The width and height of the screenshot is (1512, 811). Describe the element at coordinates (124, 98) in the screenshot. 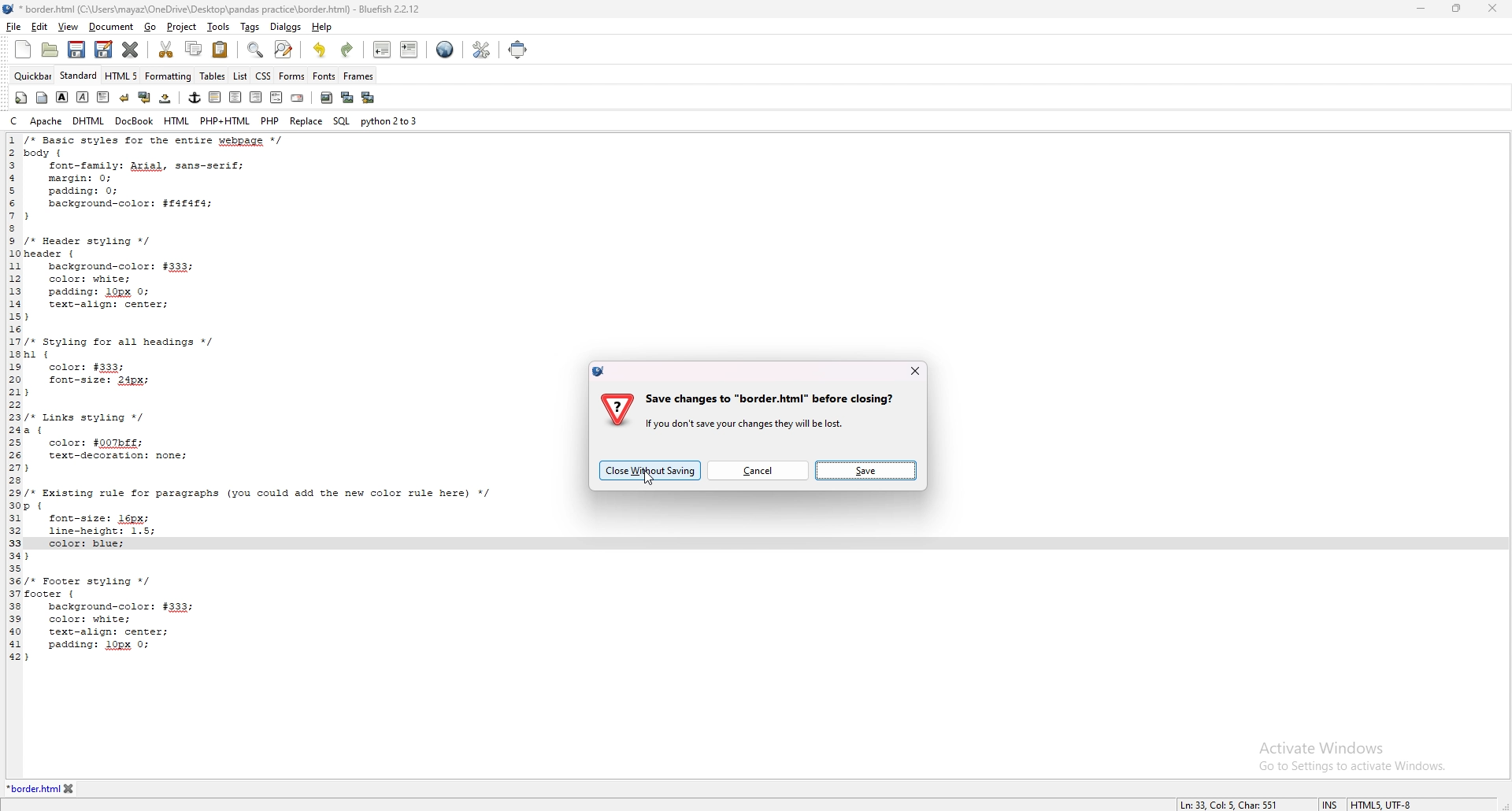

I see `break` at that location.